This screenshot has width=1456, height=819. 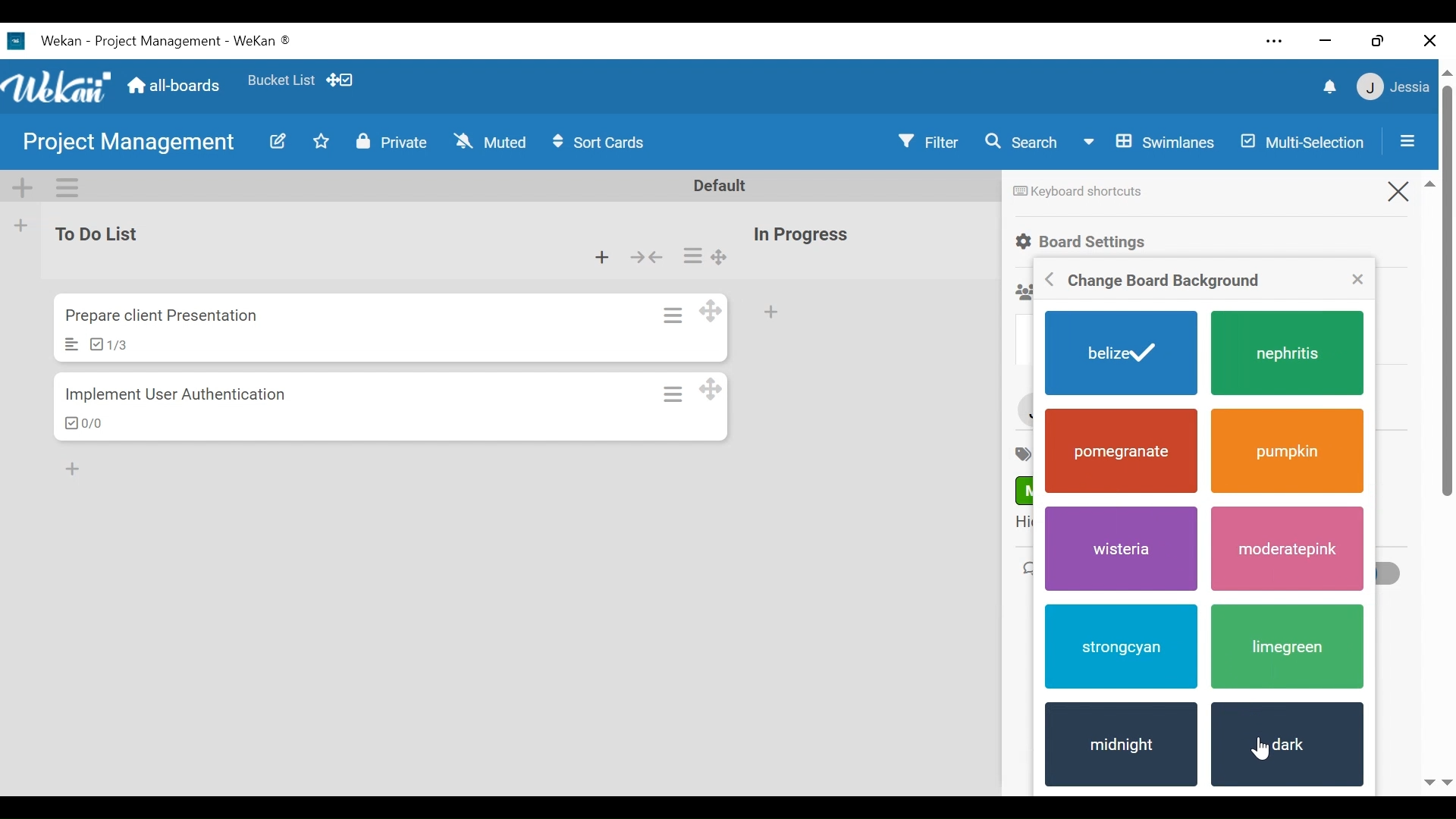 I want to click on Card Title, so click(x=161, y=316).